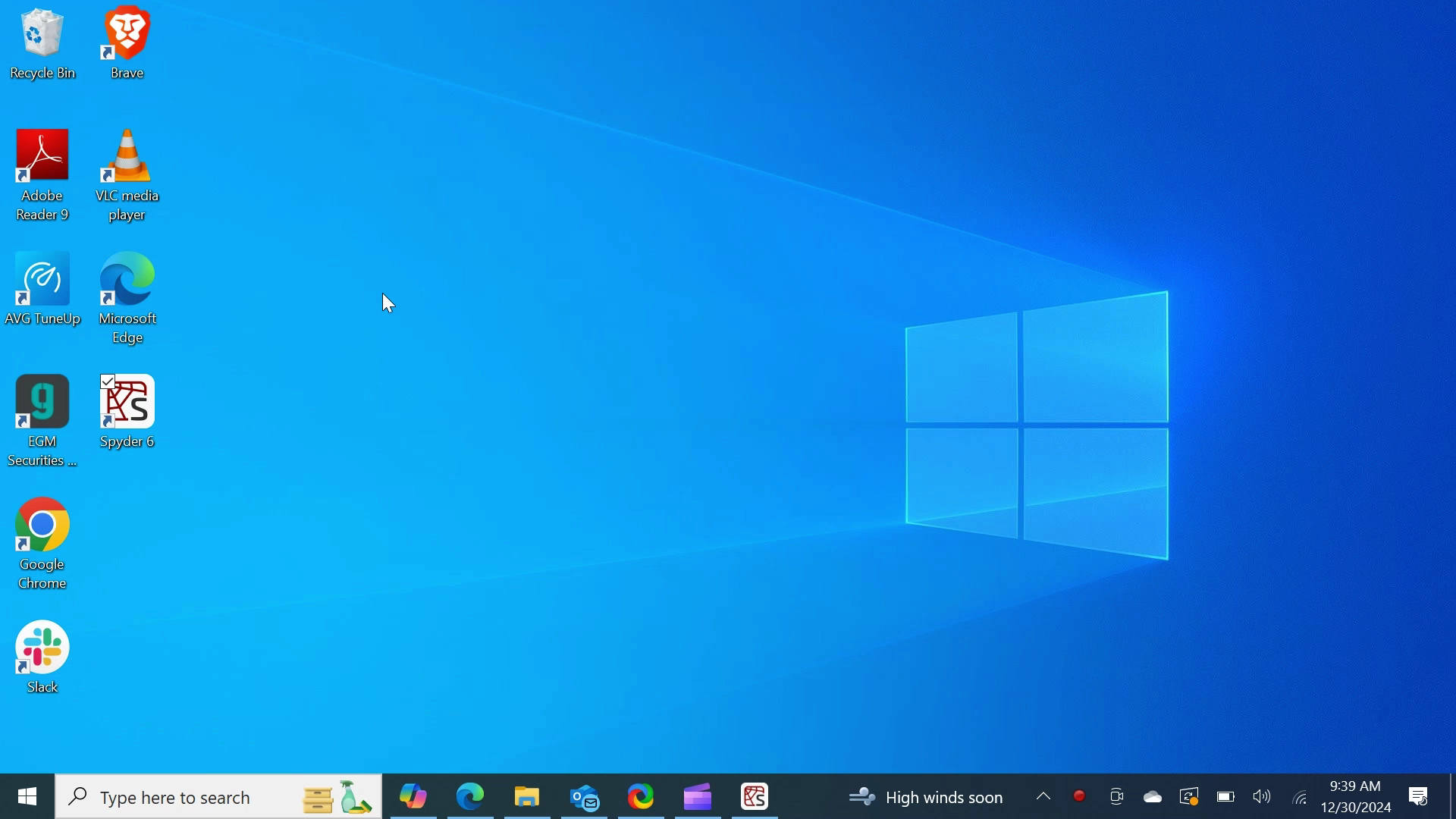 The image size is (1456, 819). I want to click on Microsoft Clipchamp, so click(697, 795).